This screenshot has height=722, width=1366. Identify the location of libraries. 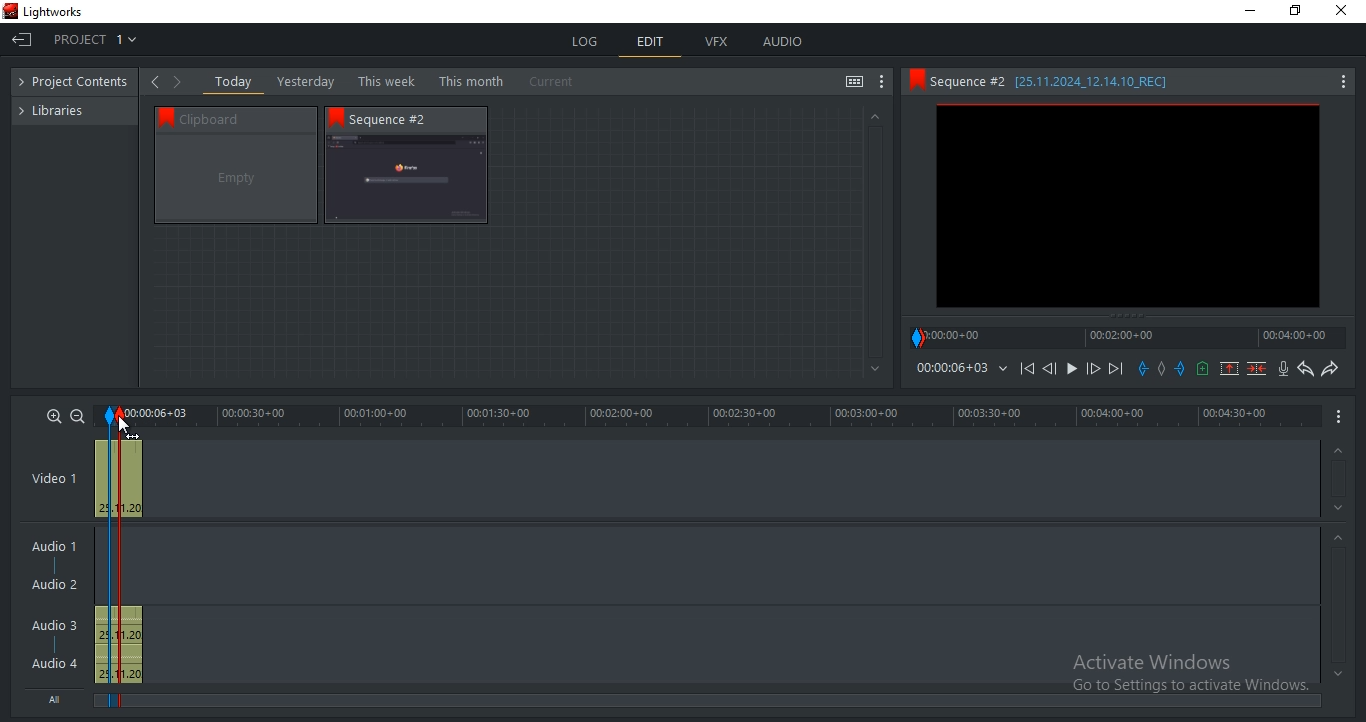
(61, 109).